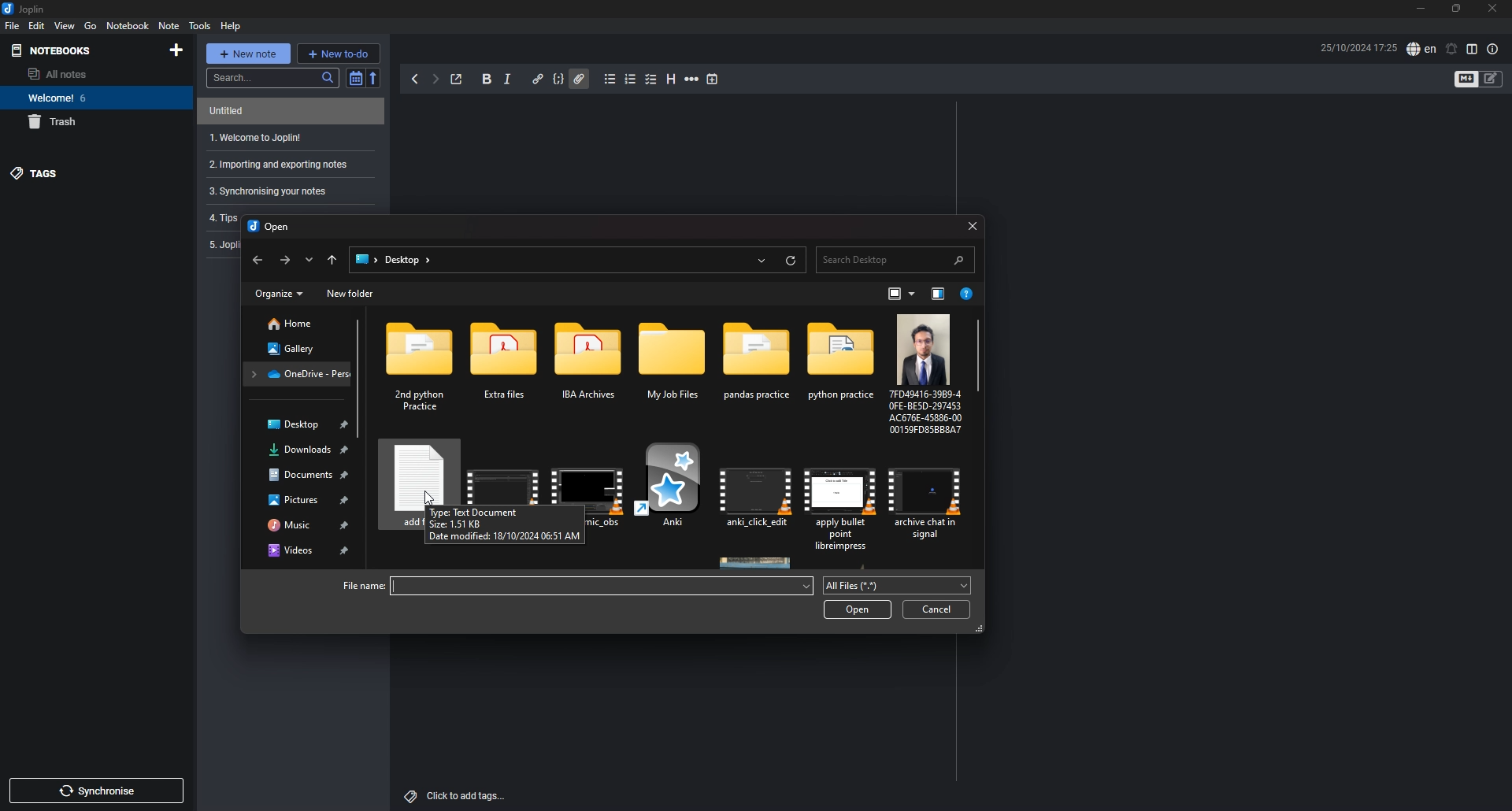 The height and width of the screenshot is (811, 1512). I want to click on go, so click(91, 25).